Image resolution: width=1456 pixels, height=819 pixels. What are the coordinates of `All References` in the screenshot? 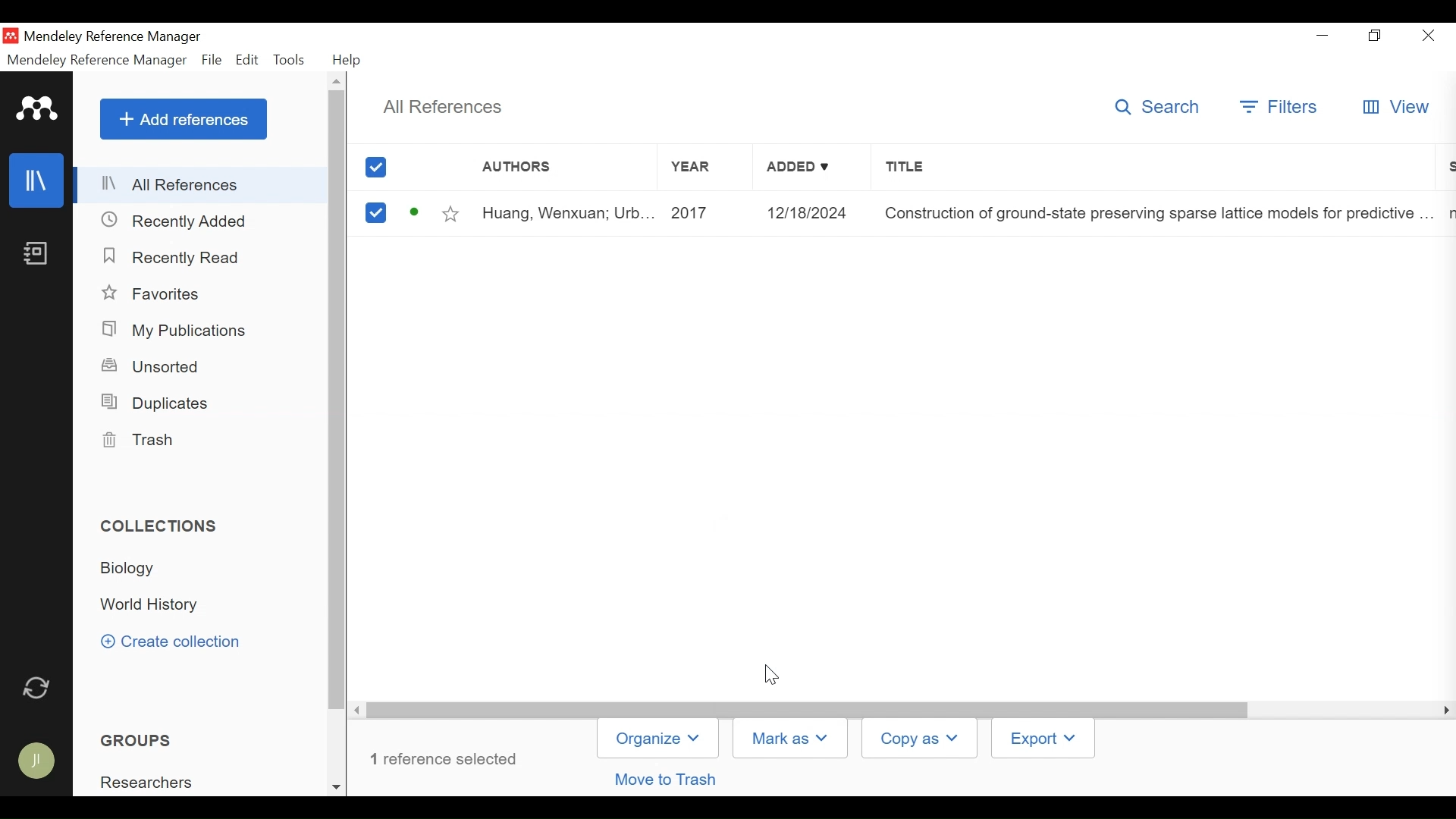 It's located at (448, 108).